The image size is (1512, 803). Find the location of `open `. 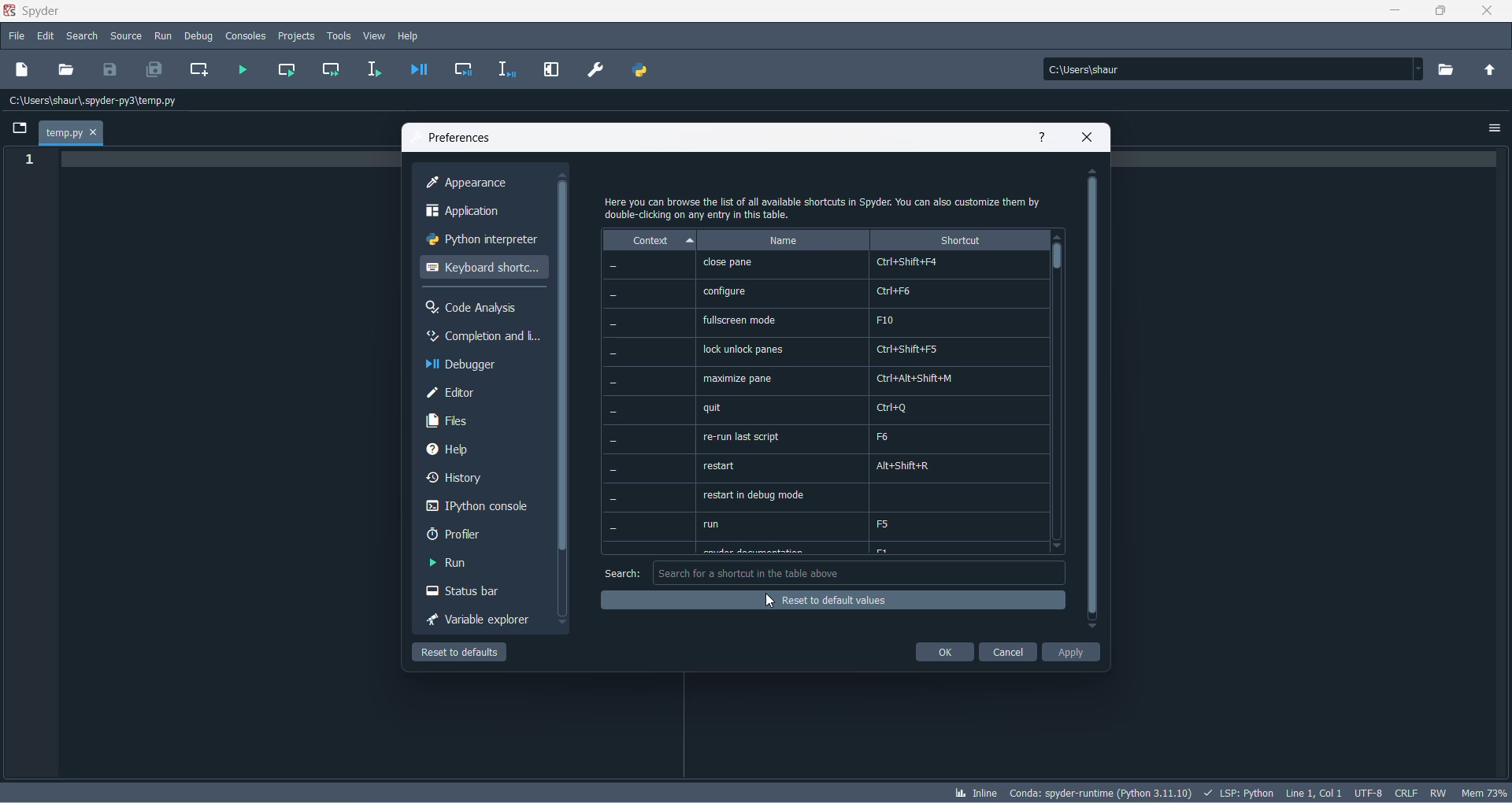

open  is located at coordinates (67, 71).